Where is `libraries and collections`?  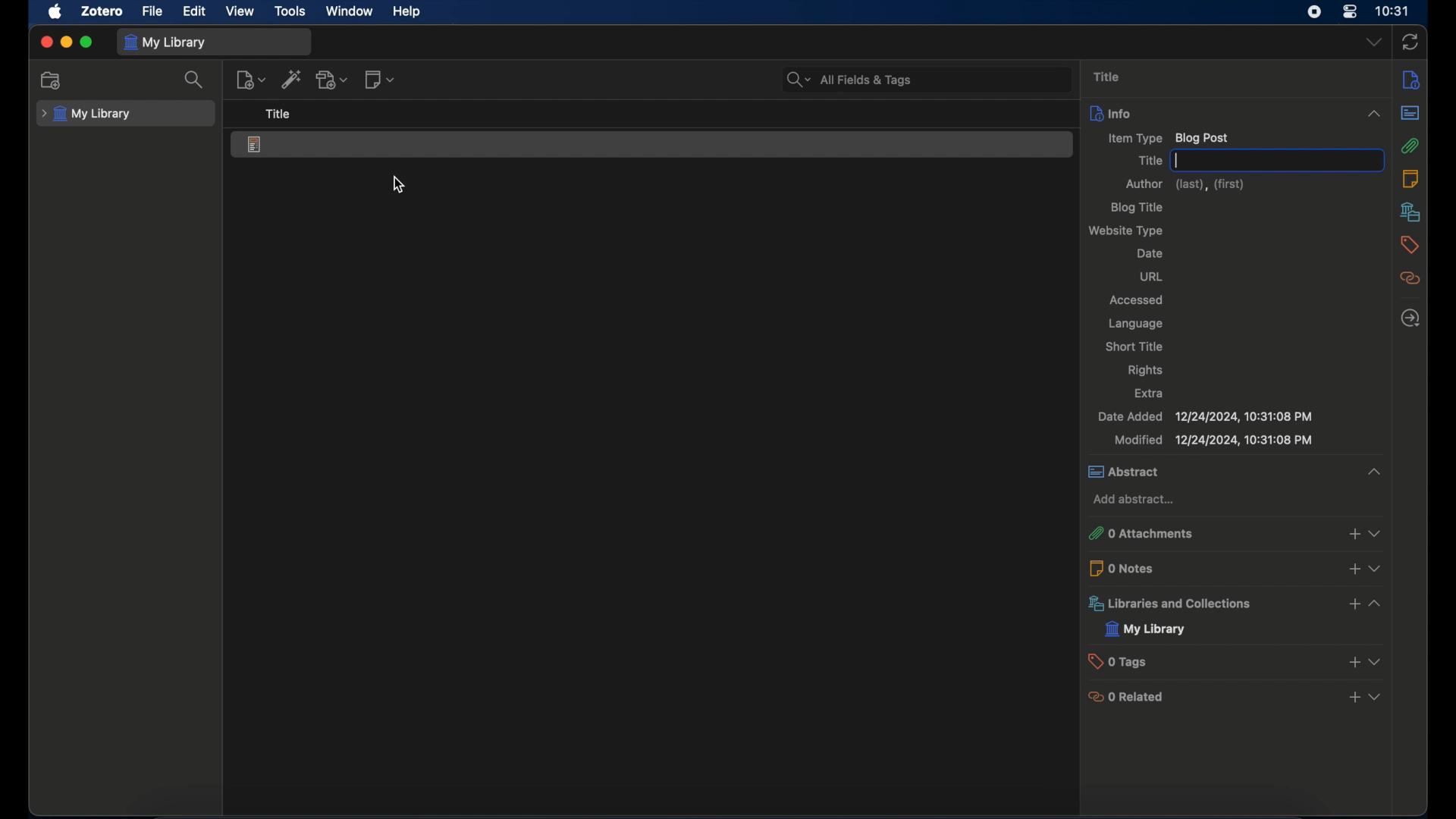
libraries and collections is located at coordinates (1238, 604).